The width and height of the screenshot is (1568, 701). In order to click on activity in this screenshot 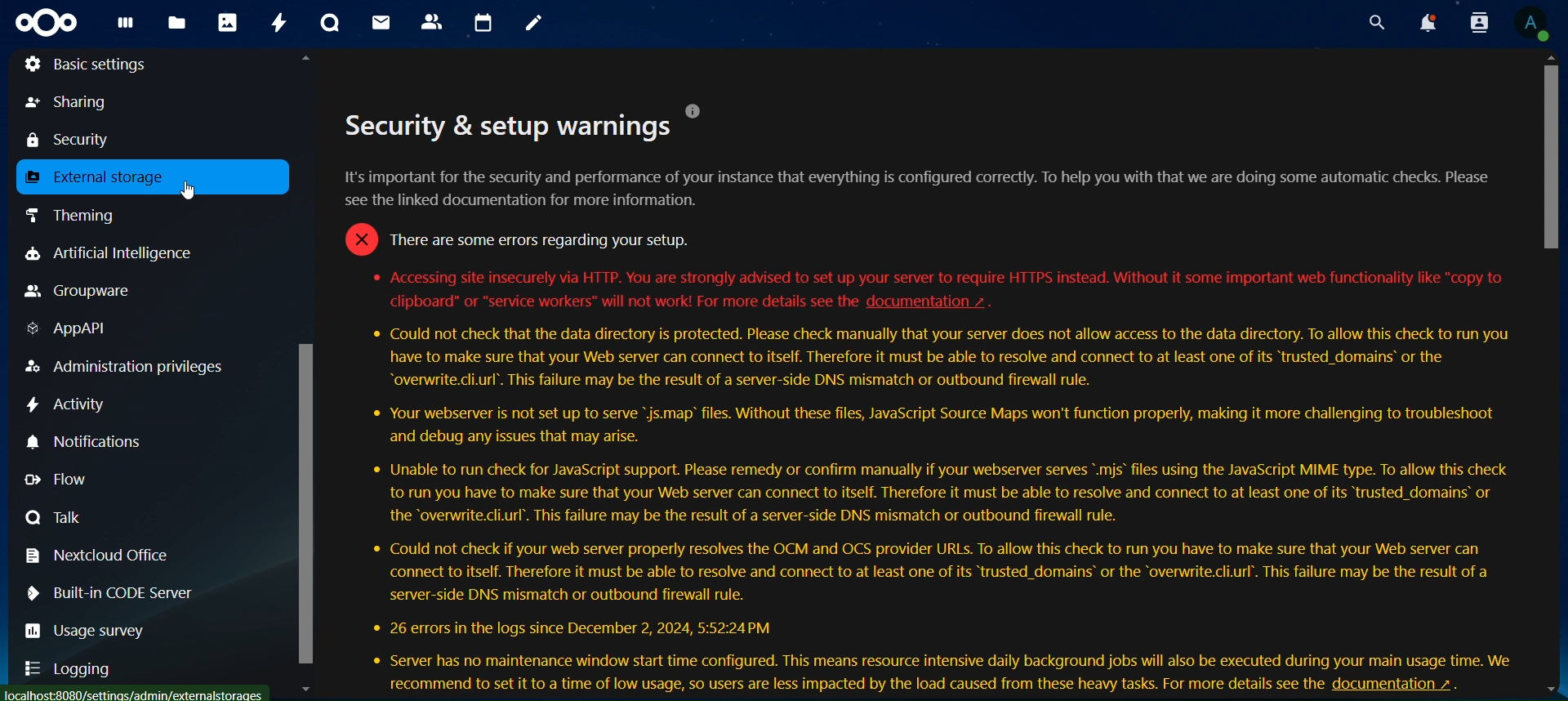, I will do `click(275, 24)`.